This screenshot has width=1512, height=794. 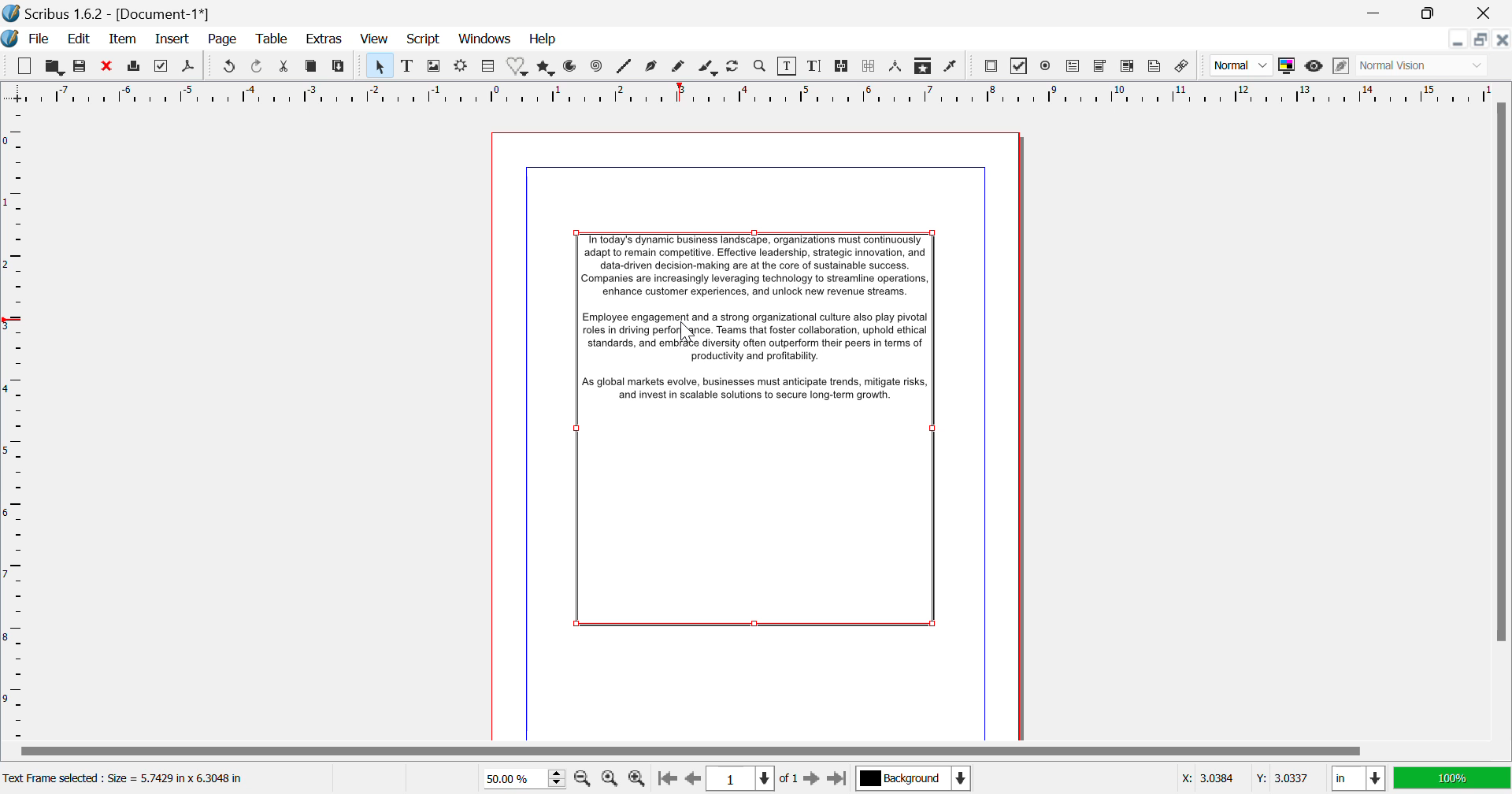 What do you see at coordinates (189, 67) in the screenshot?
I see `Save as Pdf` at bounding box center [189, 67].